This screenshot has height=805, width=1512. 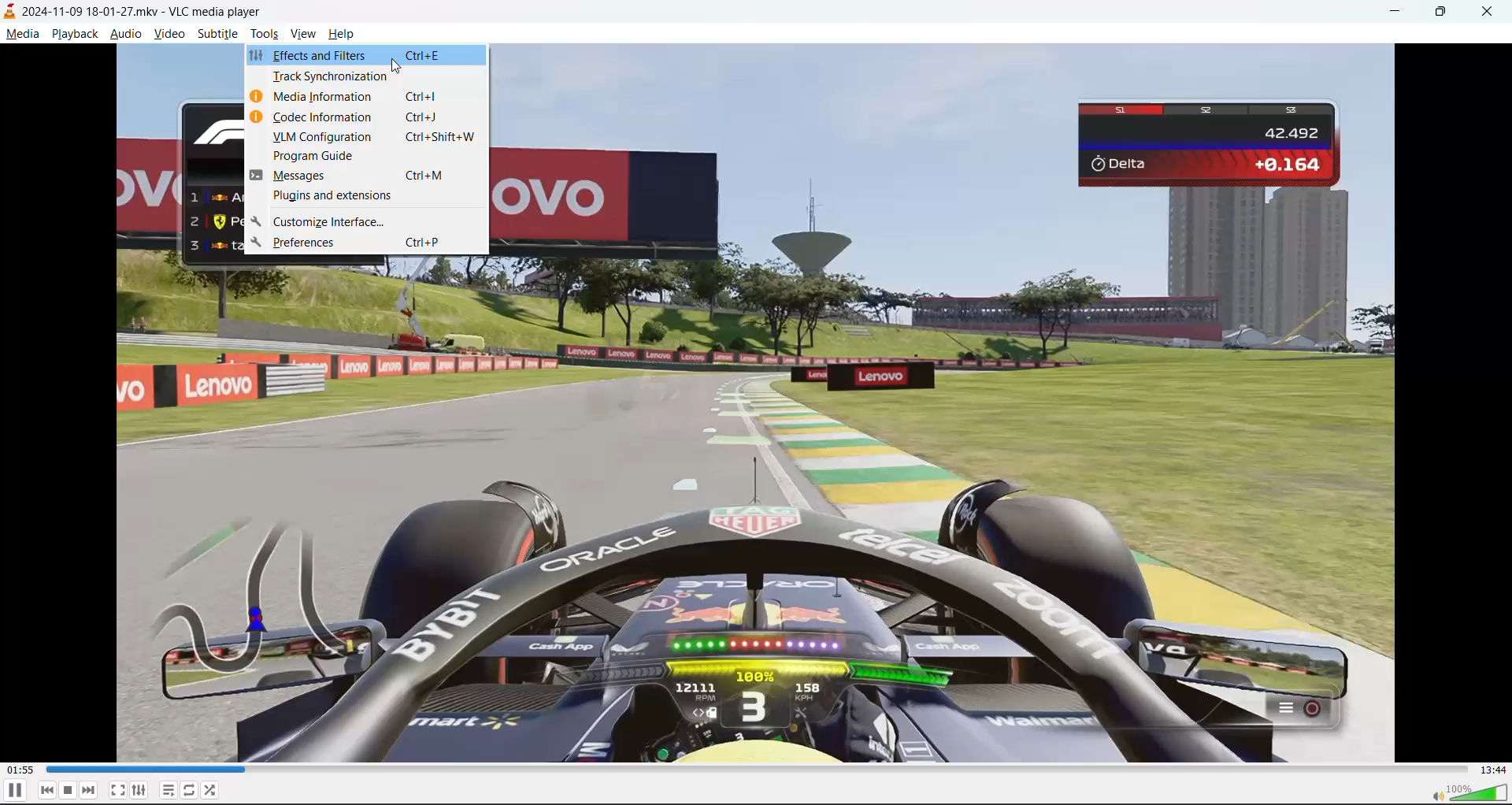 I want to click on messages, so click(x=366, y=176).